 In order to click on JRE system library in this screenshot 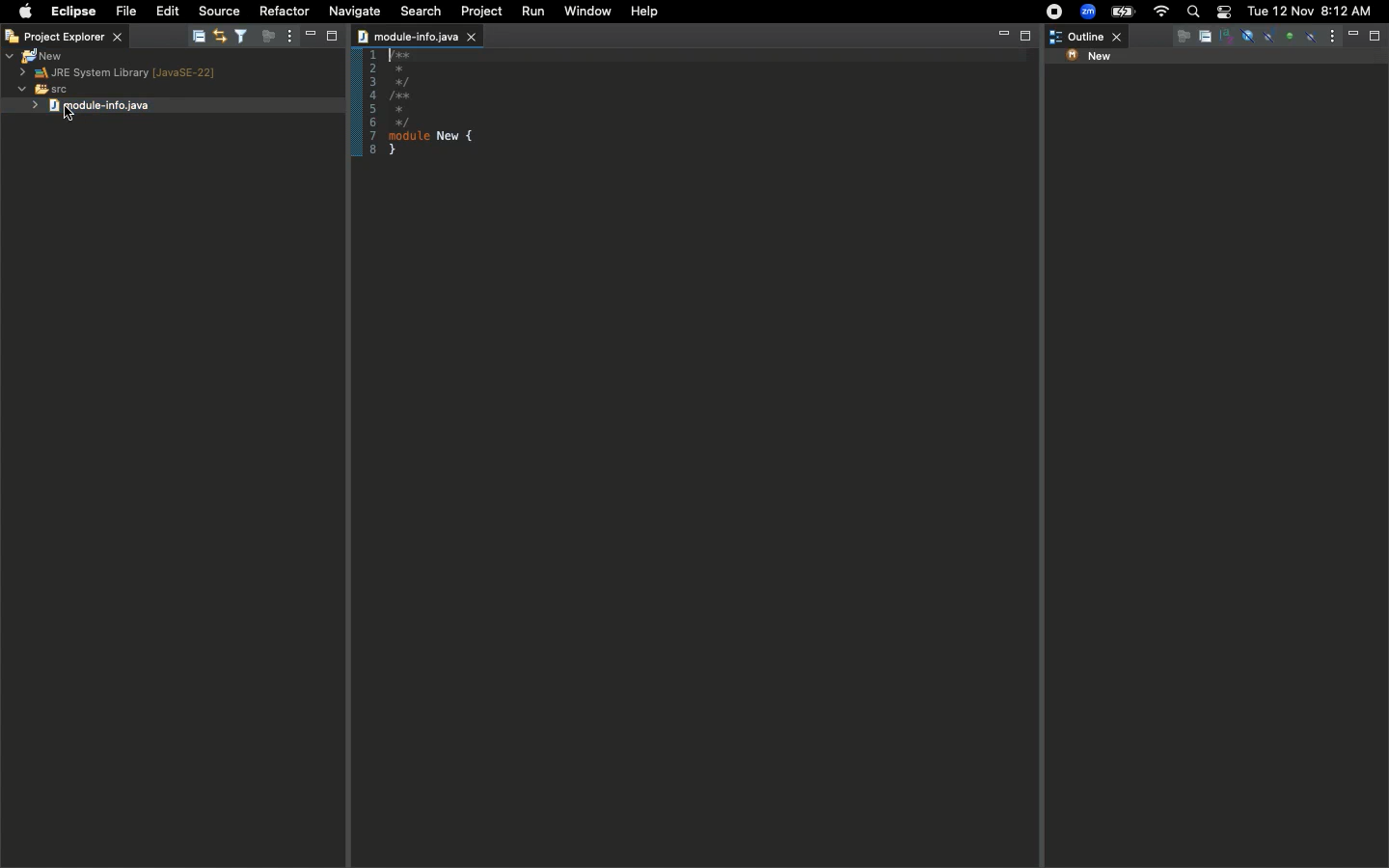, I will do `click(120, 74)`.